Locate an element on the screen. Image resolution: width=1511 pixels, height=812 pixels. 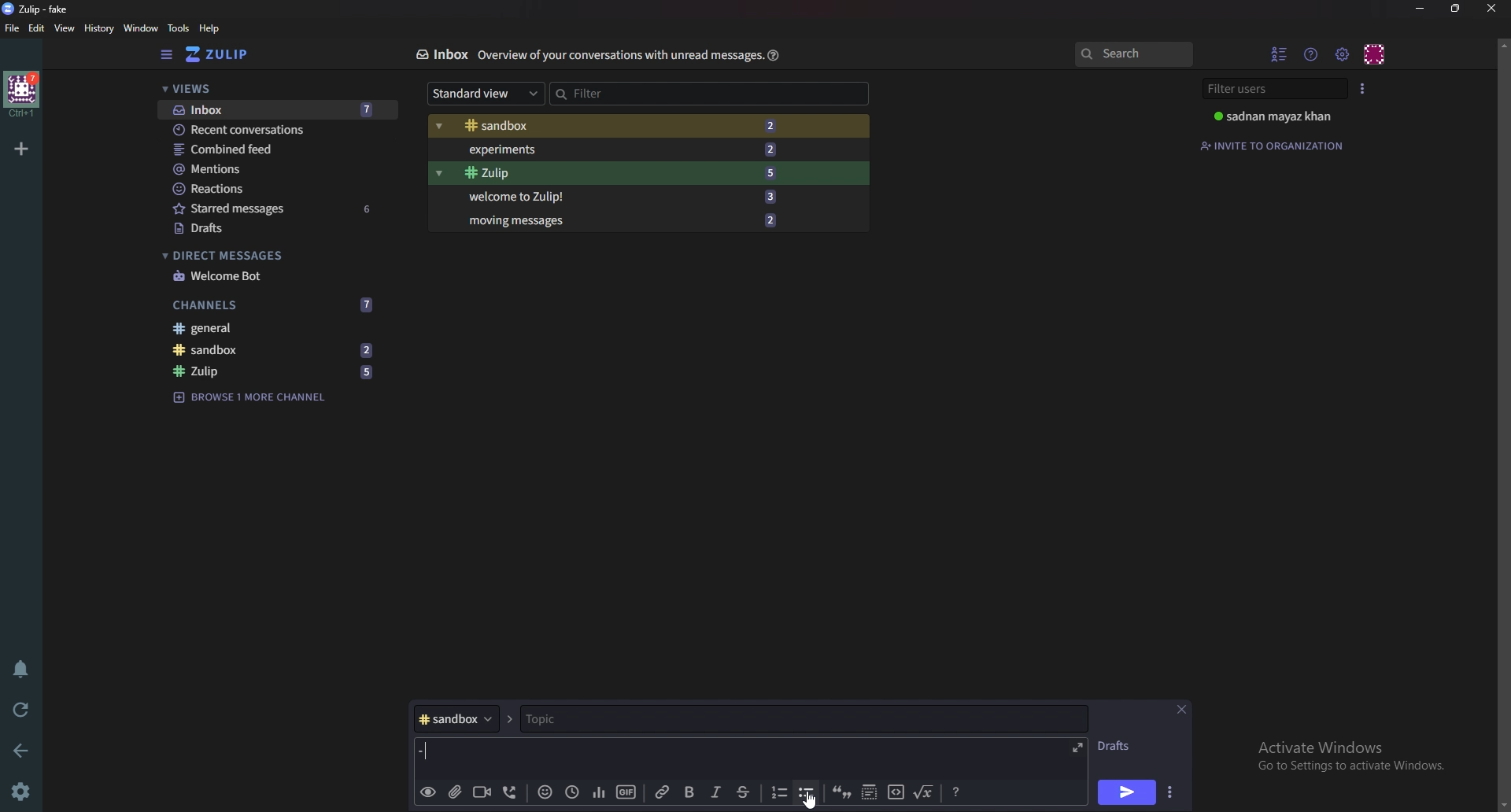
Topic is located at coordinates (803, 721).